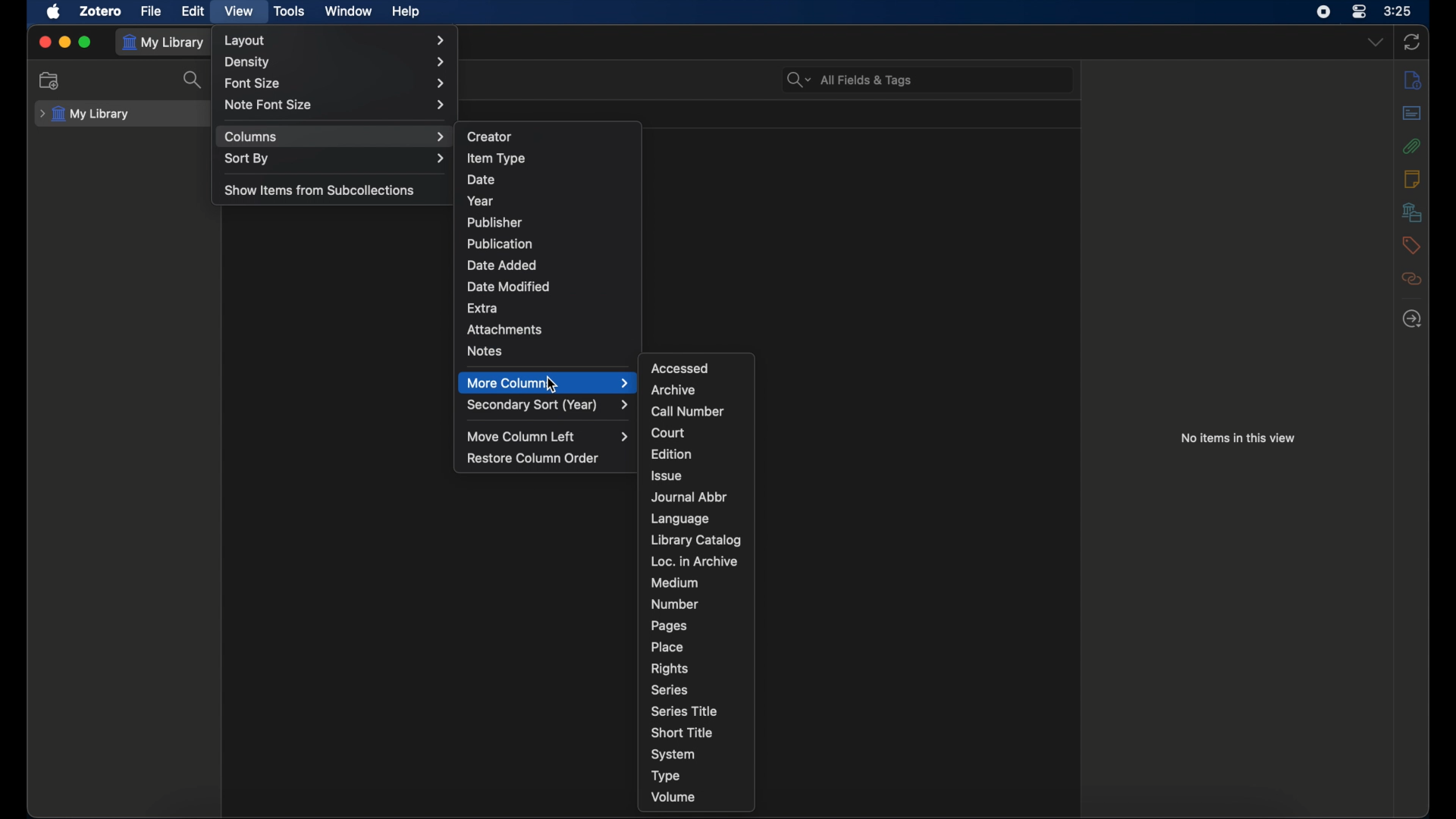 This screenshot has height=819, width=1456. I want to click on short title, so click(682, 733).